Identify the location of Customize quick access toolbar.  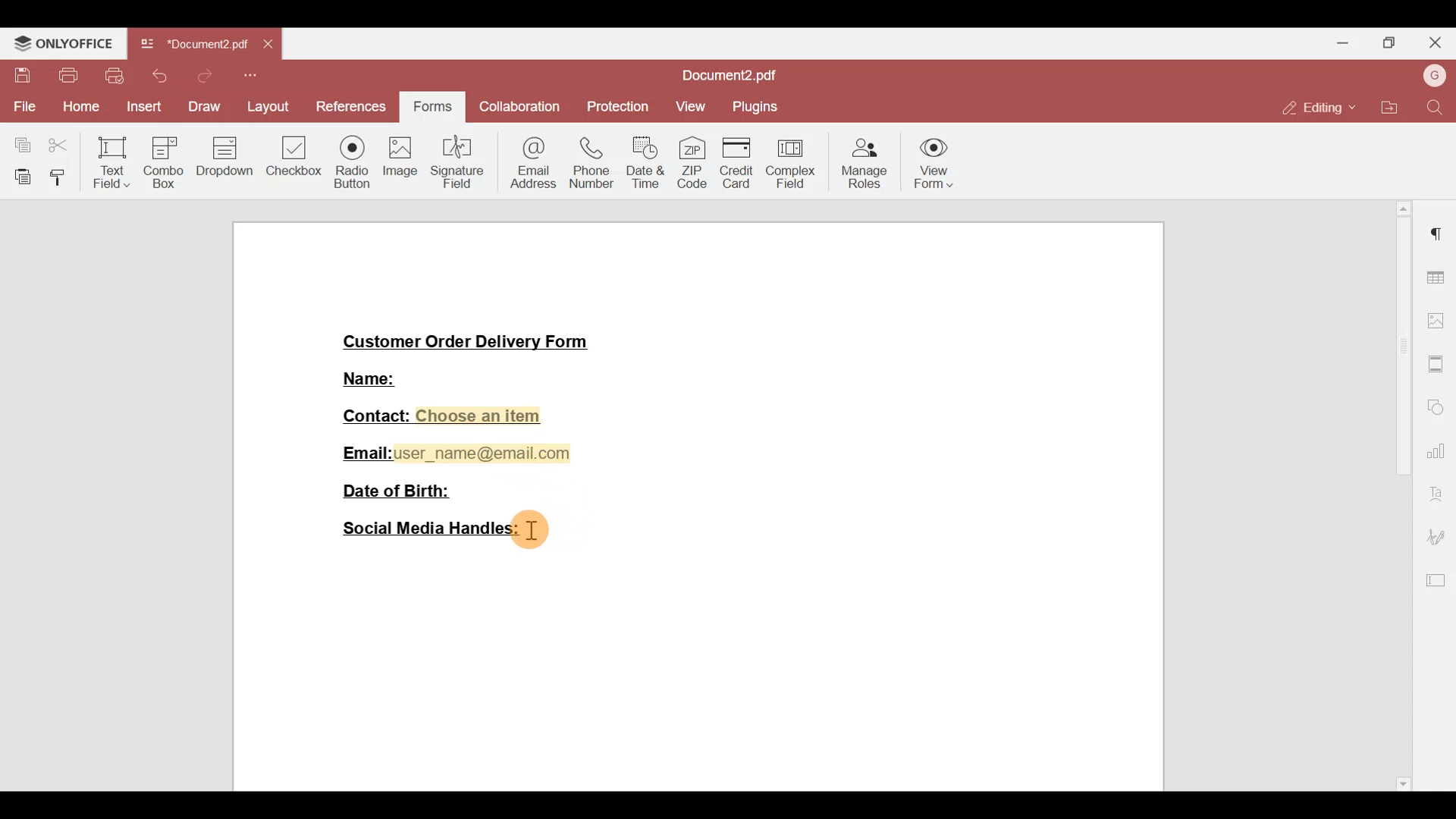
(251, 76).